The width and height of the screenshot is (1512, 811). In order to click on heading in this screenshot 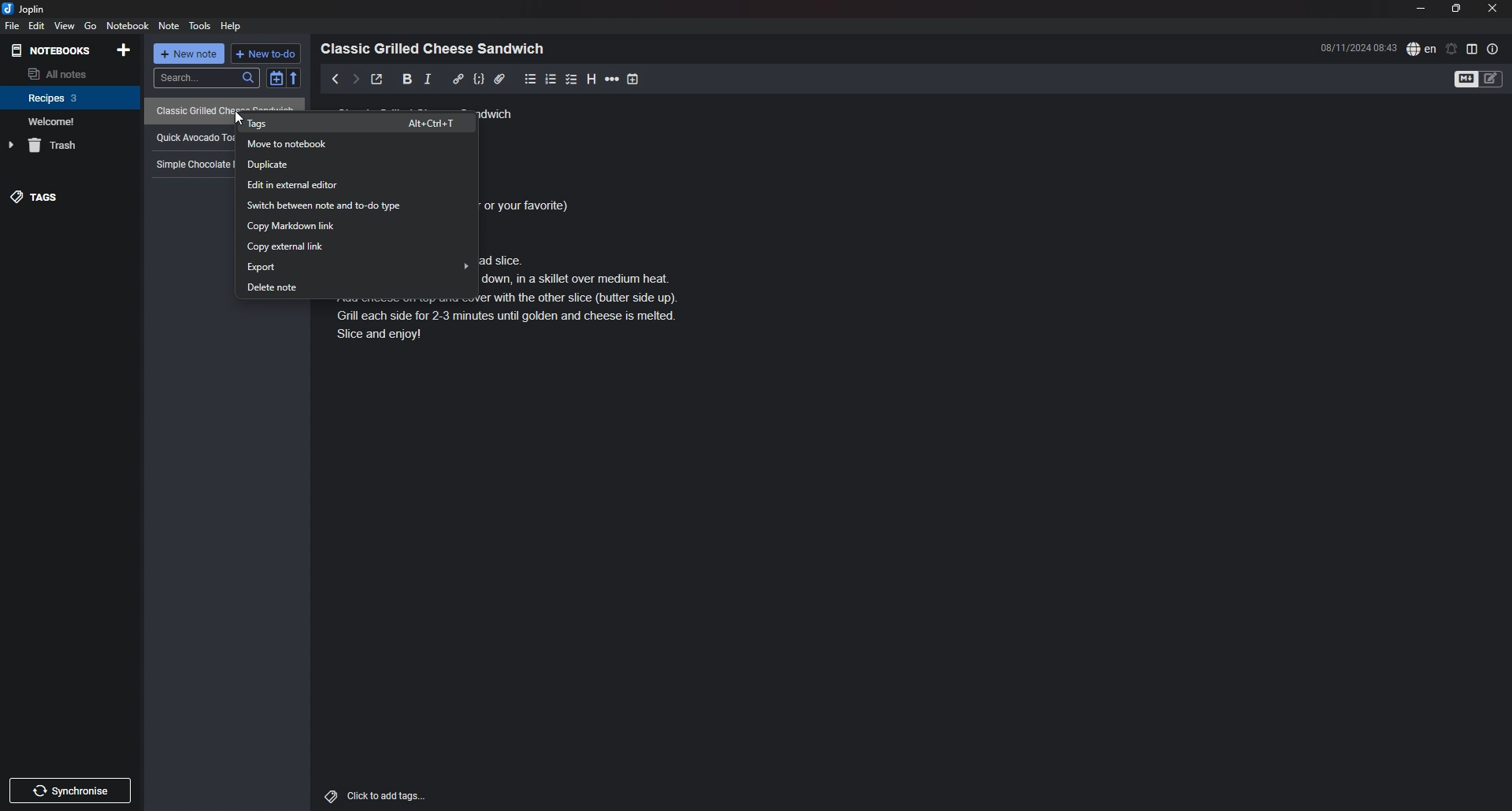, I will do `click(591, 79)`.